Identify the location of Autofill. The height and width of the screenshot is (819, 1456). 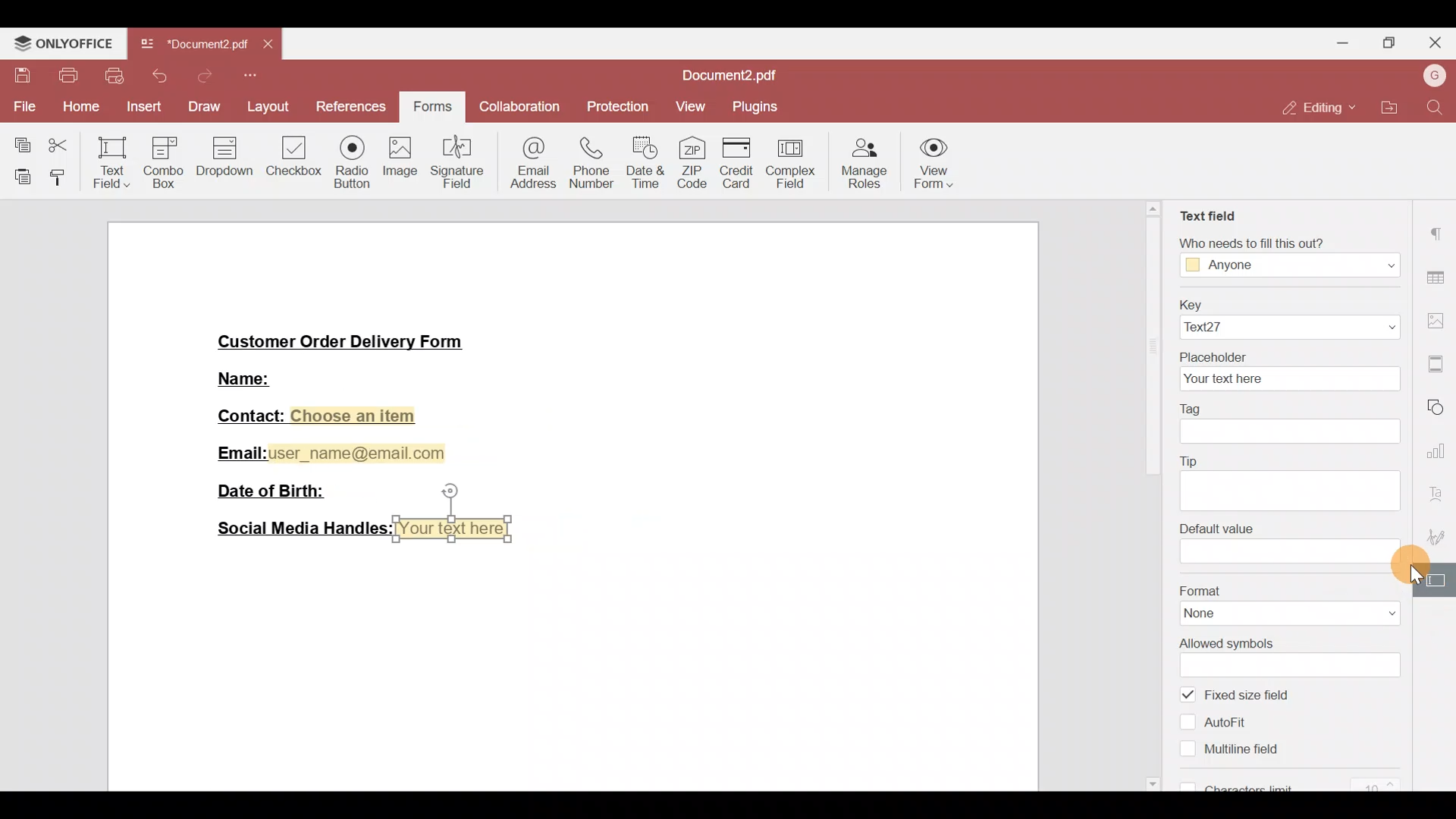
(1223, 726).